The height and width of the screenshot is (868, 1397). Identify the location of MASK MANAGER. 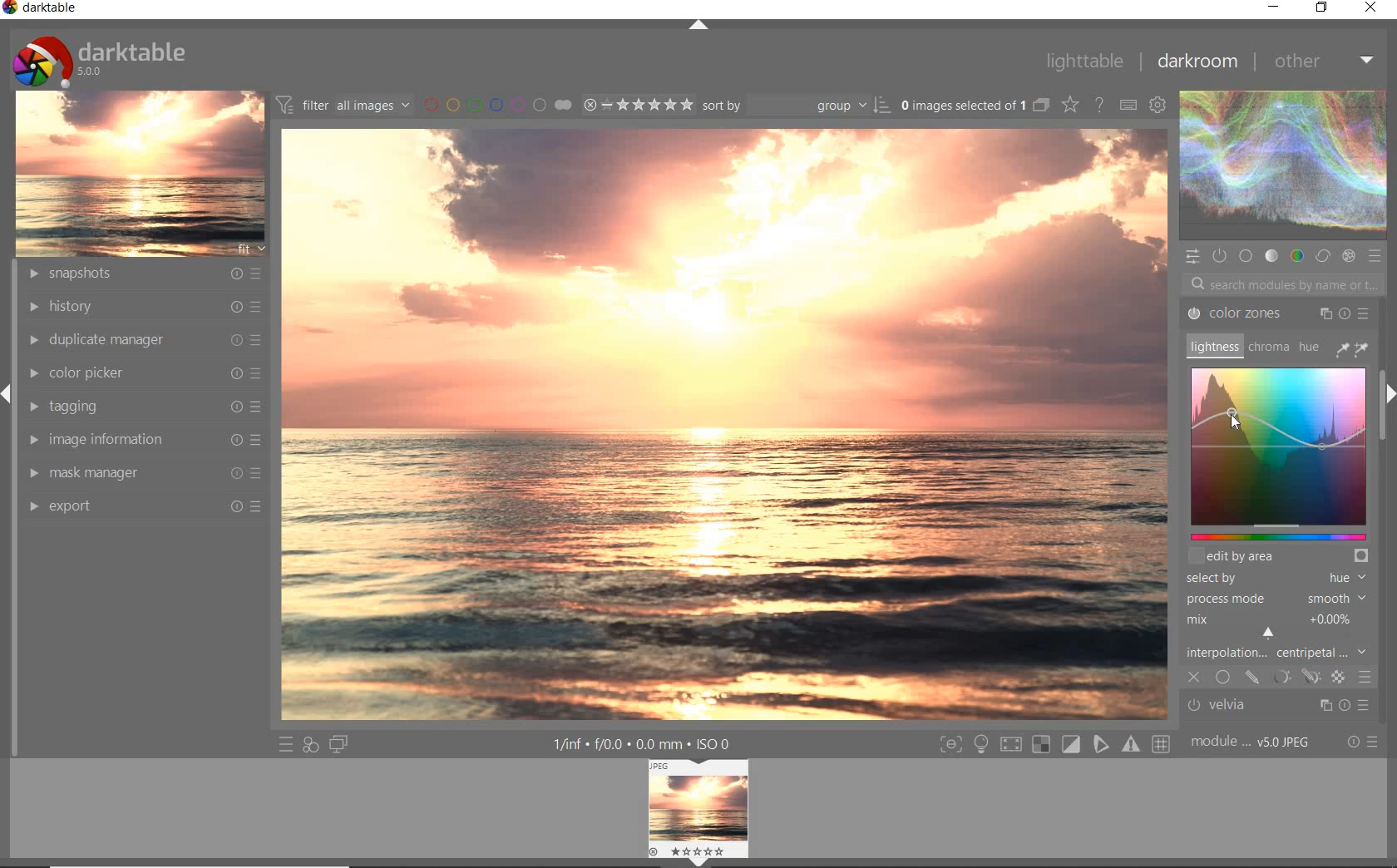
(143, 472).